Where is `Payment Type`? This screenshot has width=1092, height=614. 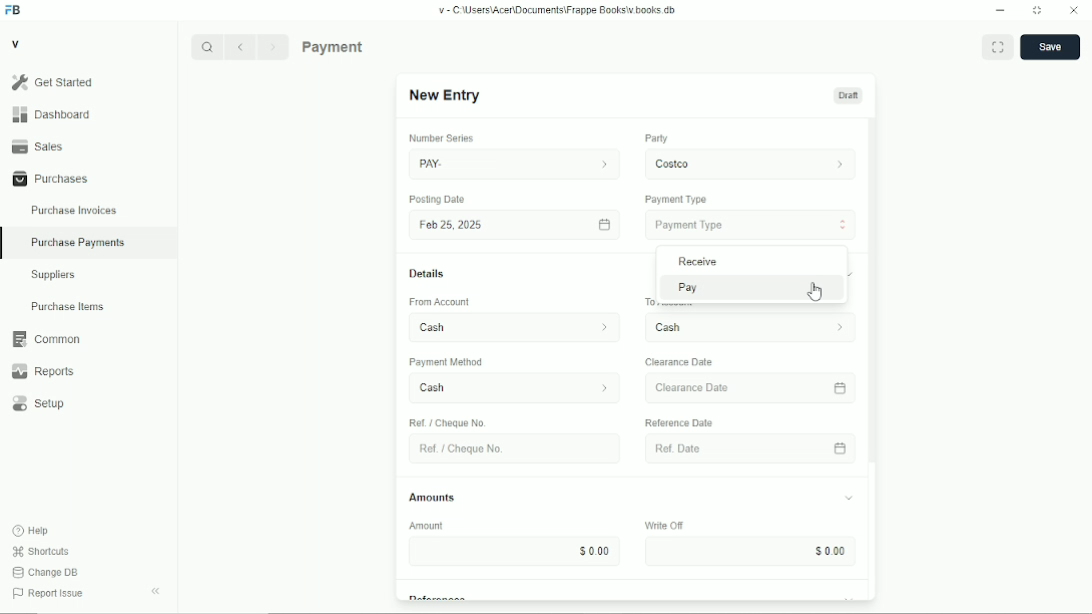 Payment Type is located at coordinates (750, 226).